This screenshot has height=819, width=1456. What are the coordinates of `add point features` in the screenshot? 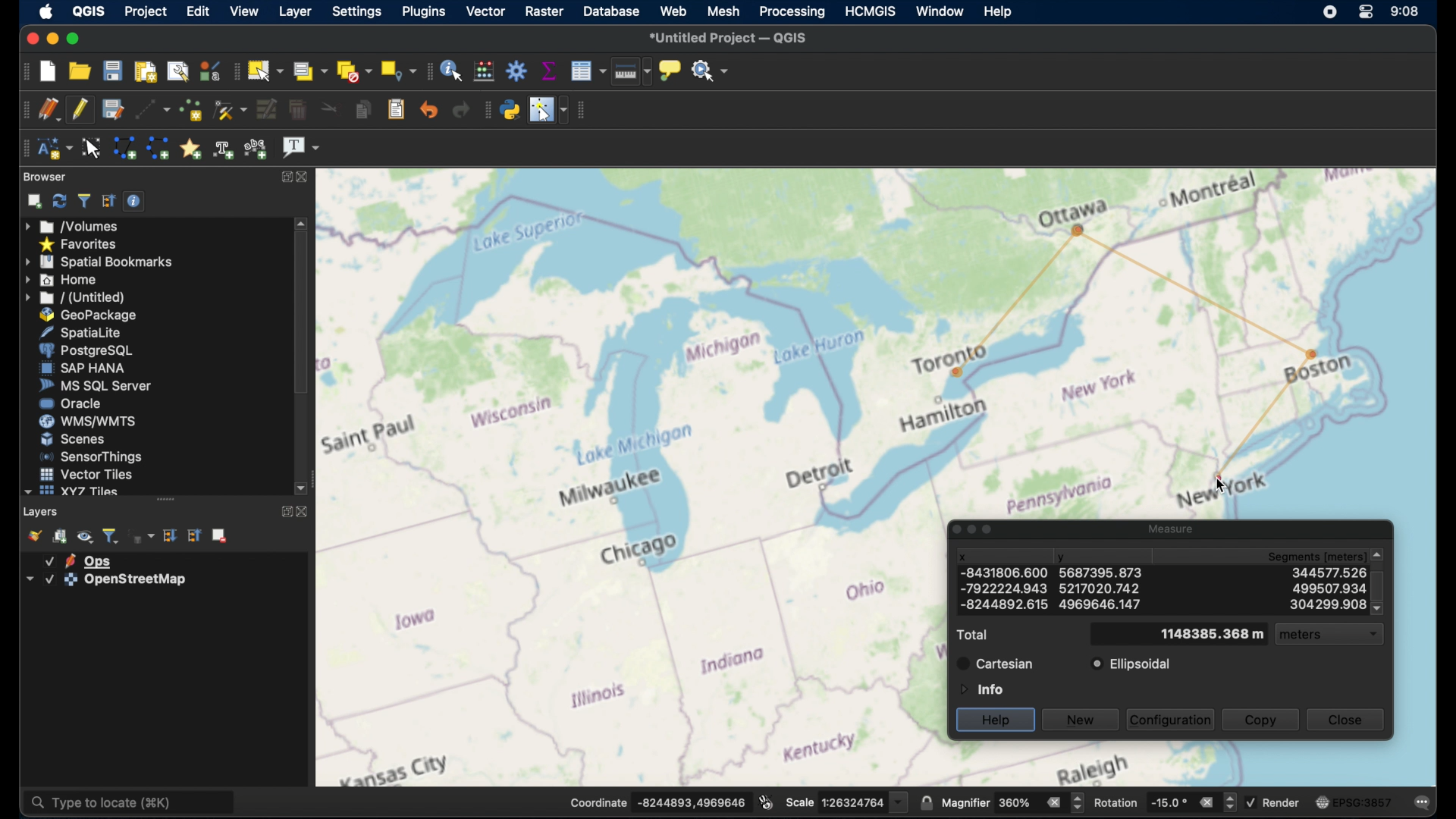 It's located at (190, 109).